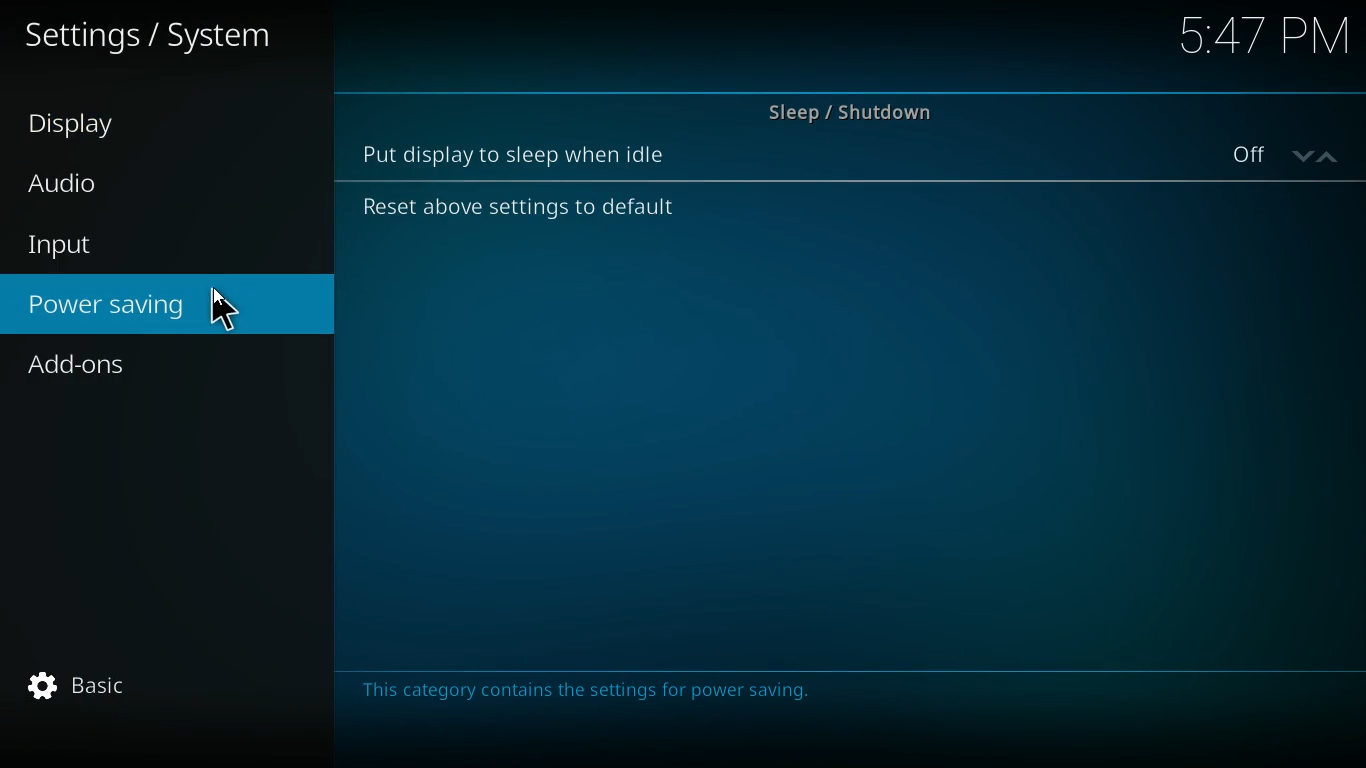 The image size is (1366, 768). What do you see at coordinates (1260, 39) in the screenshot?
I see `time` at bounding box center [1260, 39].